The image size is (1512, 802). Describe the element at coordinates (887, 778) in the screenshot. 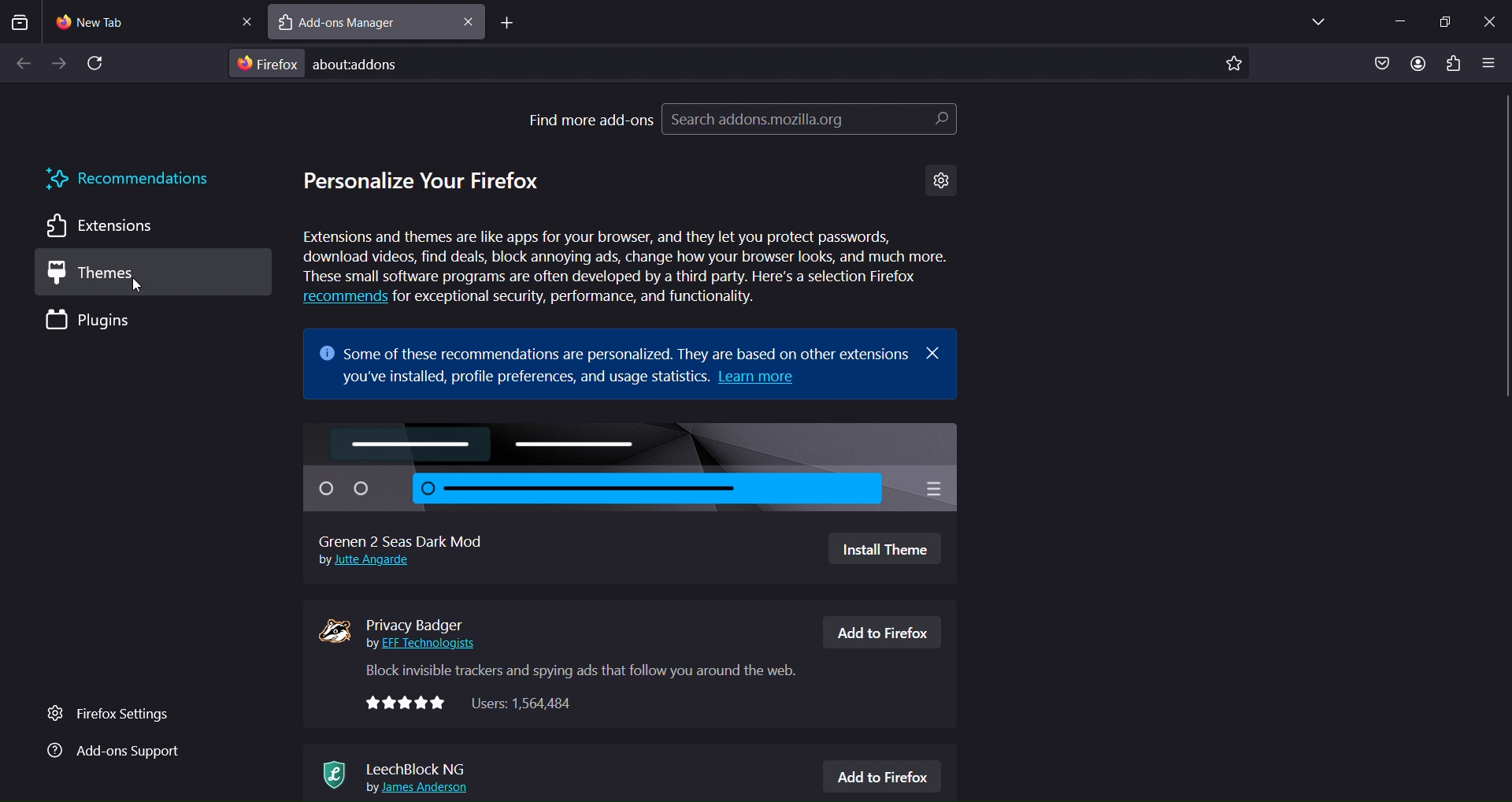

I see `Add to Firefox` at that location.